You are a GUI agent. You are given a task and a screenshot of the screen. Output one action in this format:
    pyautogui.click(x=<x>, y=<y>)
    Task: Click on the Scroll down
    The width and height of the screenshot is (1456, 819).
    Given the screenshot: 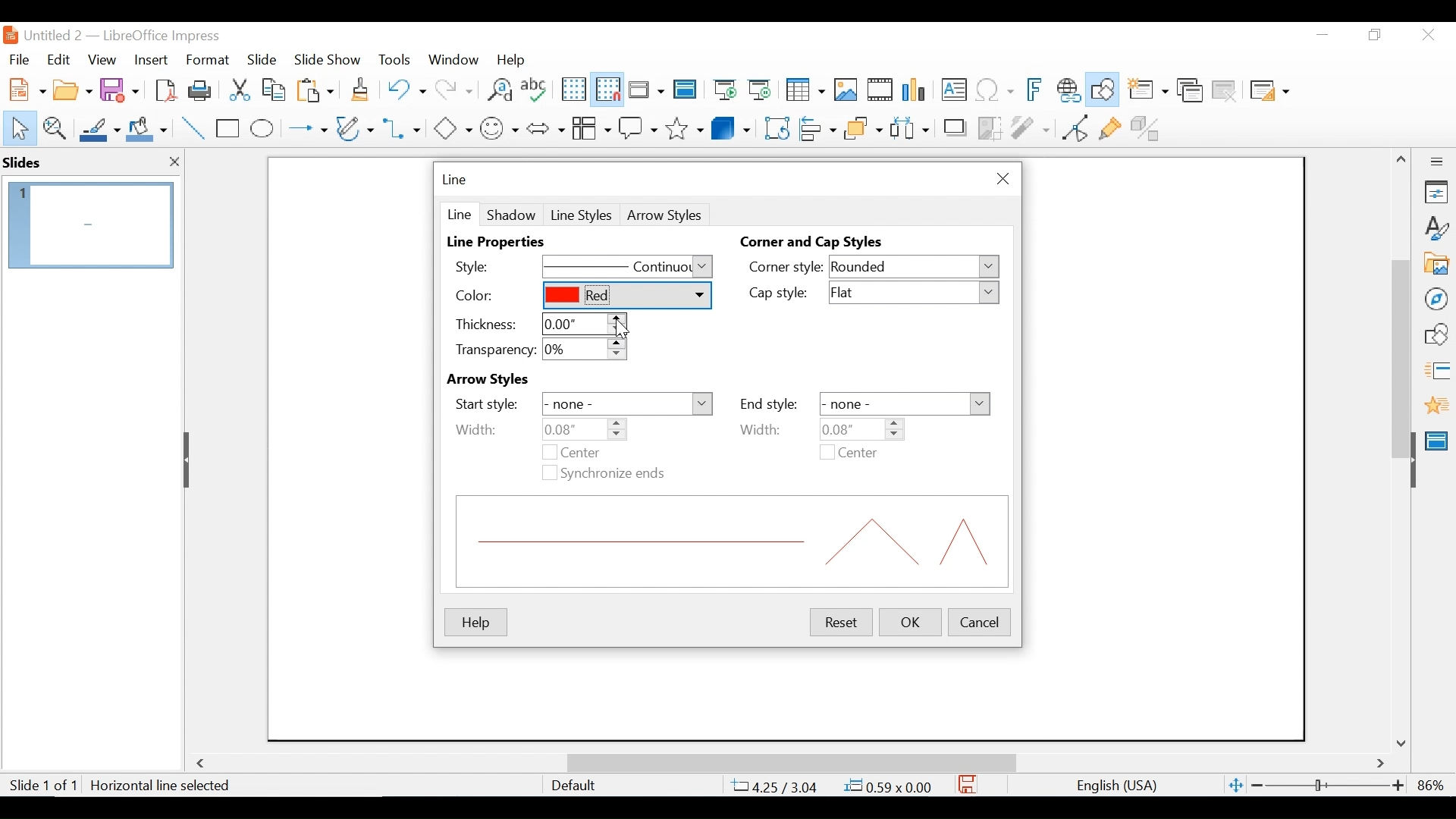 What is the action you would take?
    pyautogui.click(x=1404, y=742)
    